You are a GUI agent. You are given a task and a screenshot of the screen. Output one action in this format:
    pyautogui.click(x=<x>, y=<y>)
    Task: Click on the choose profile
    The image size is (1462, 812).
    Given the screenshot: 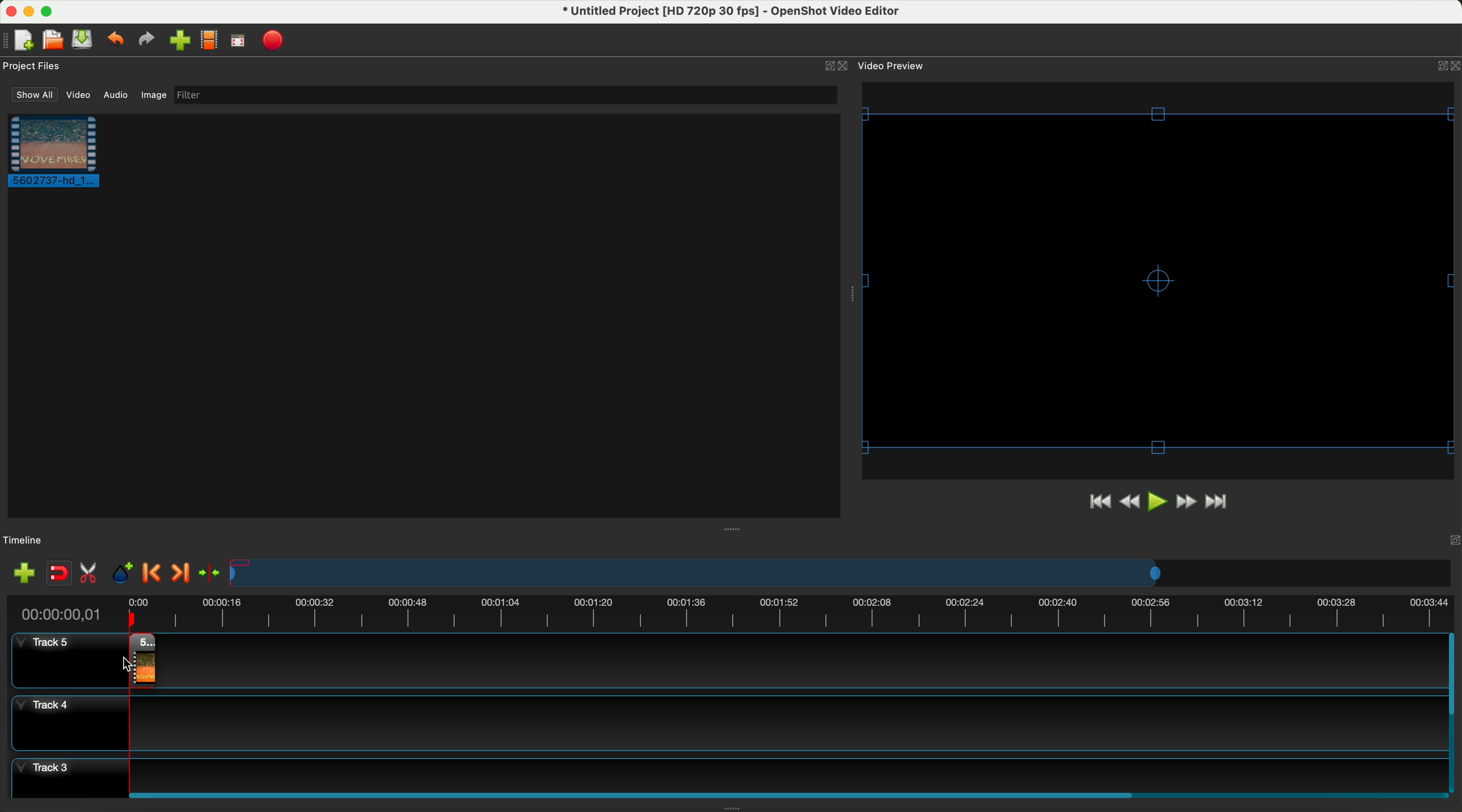 What is the action you would take?
    pyautogui.click(x=208, y=40)
    